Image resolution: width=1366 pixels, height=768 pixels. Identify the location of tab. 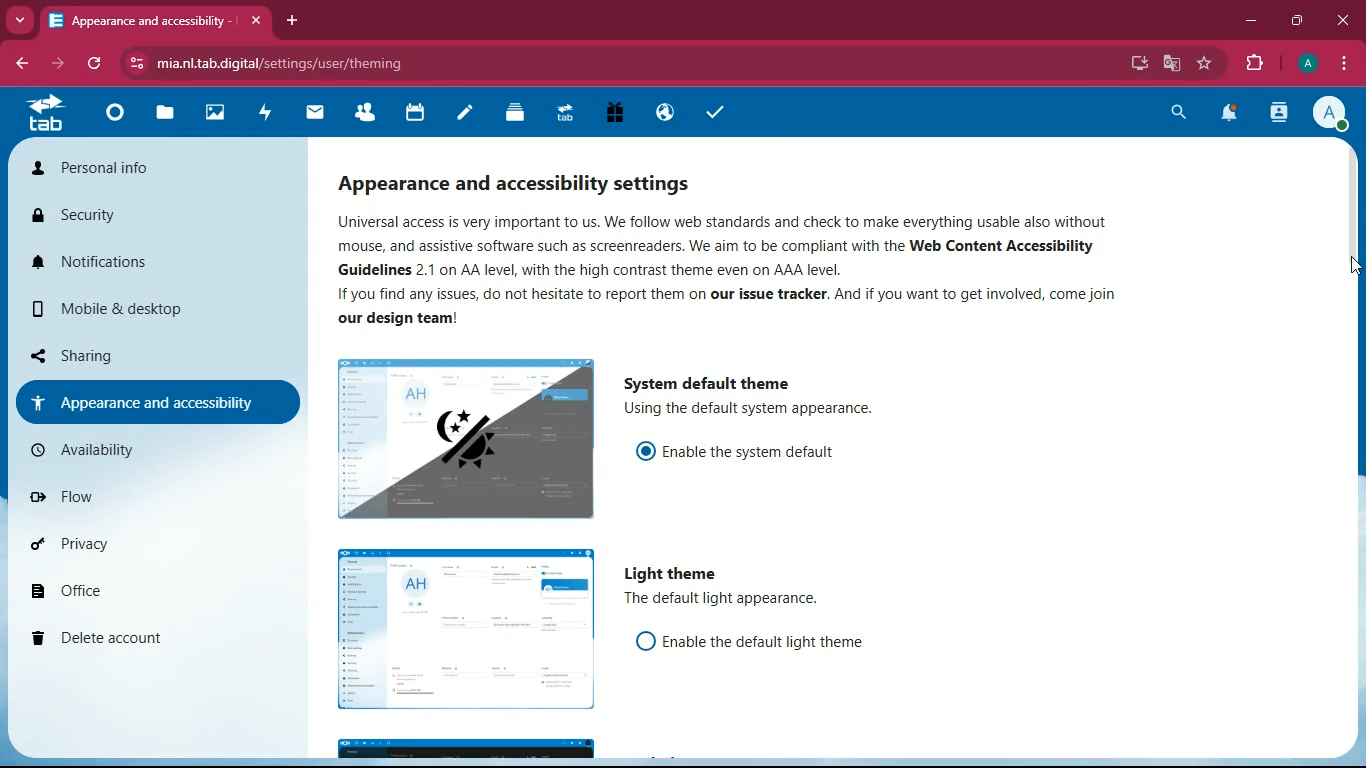
(561, 116).